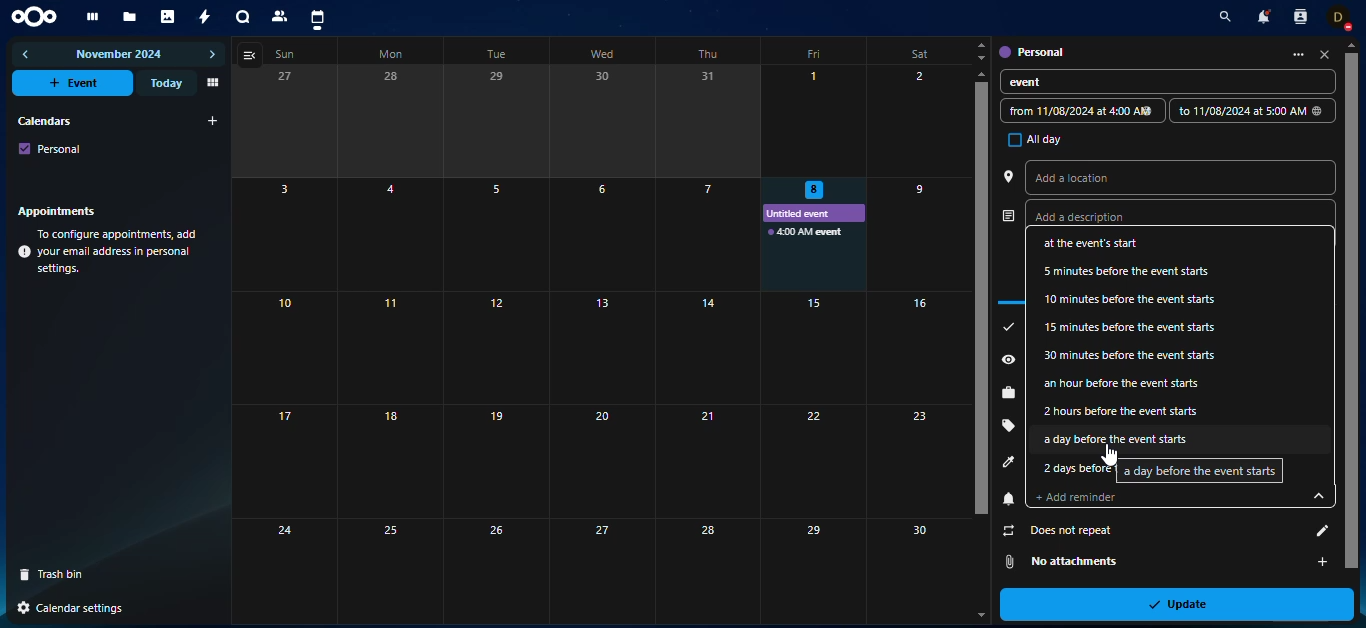  I want to click on dashboard, so click(90, 17).